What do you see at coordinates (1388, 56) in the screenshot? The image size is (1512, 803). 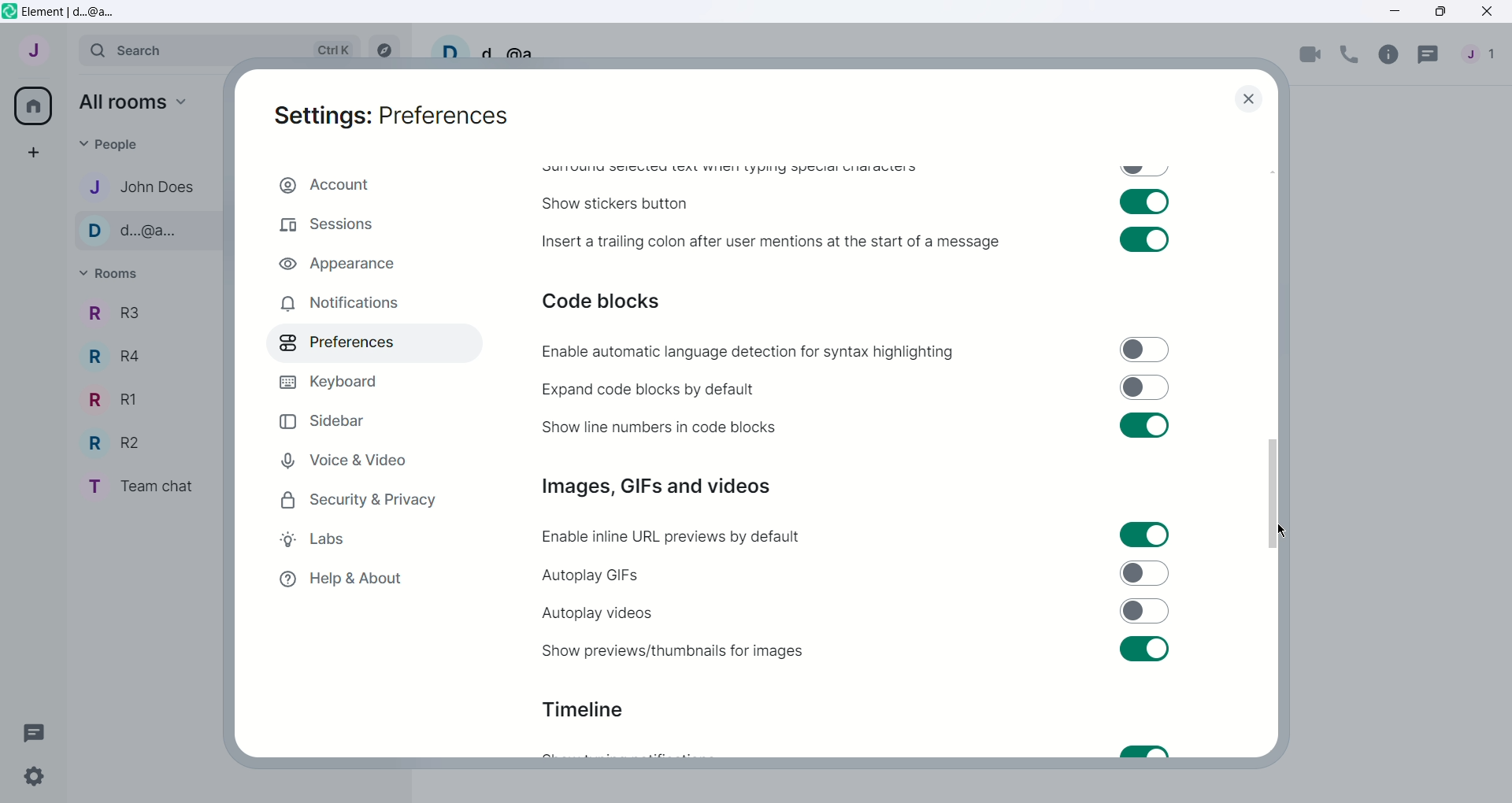 I see `Room info` at bounding box center [1388, 56].